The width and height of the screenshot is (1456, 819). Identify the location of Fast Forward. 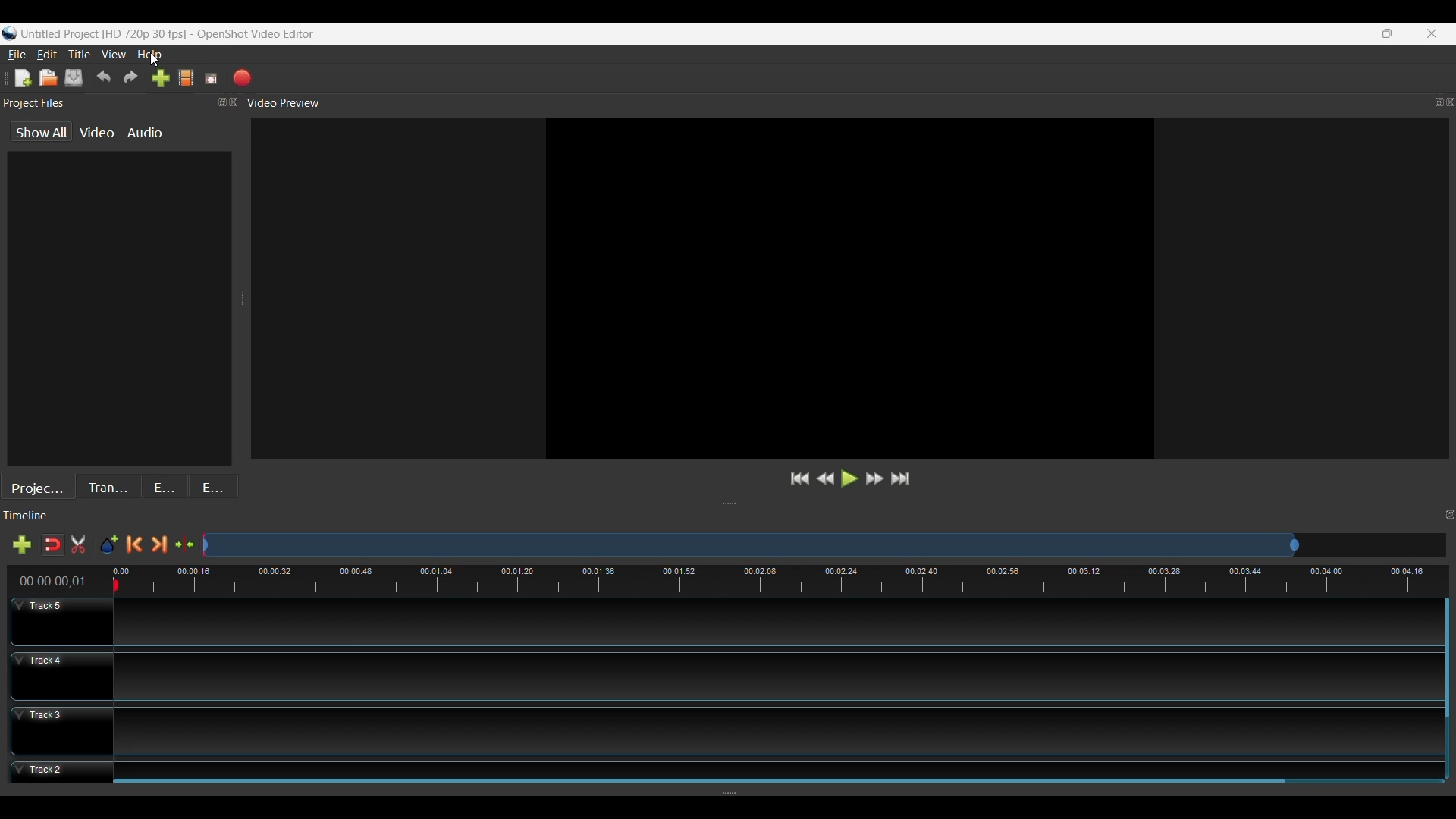
(873, 480).